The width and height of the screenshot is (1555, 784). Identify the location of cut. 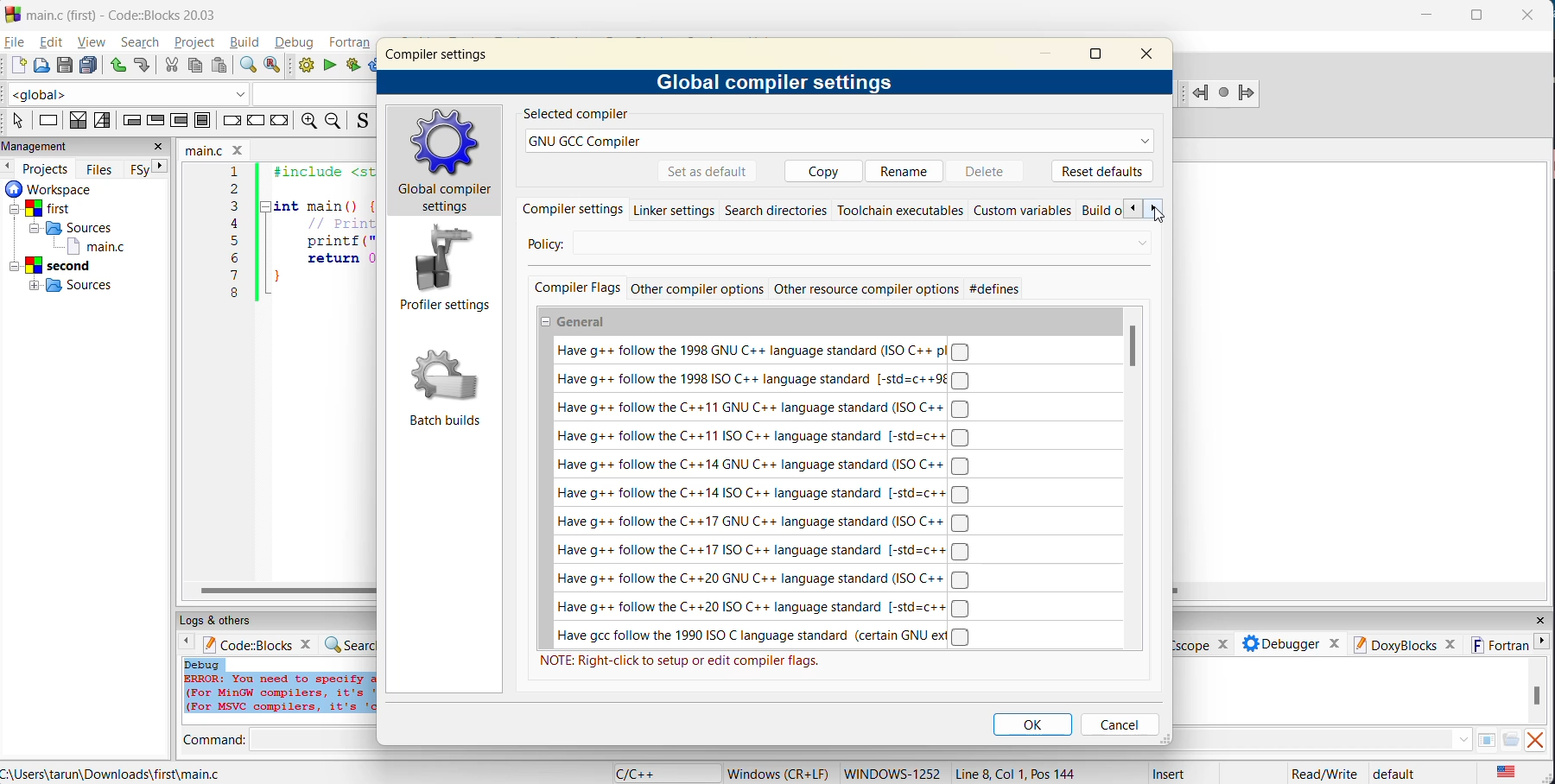
(168, 66).